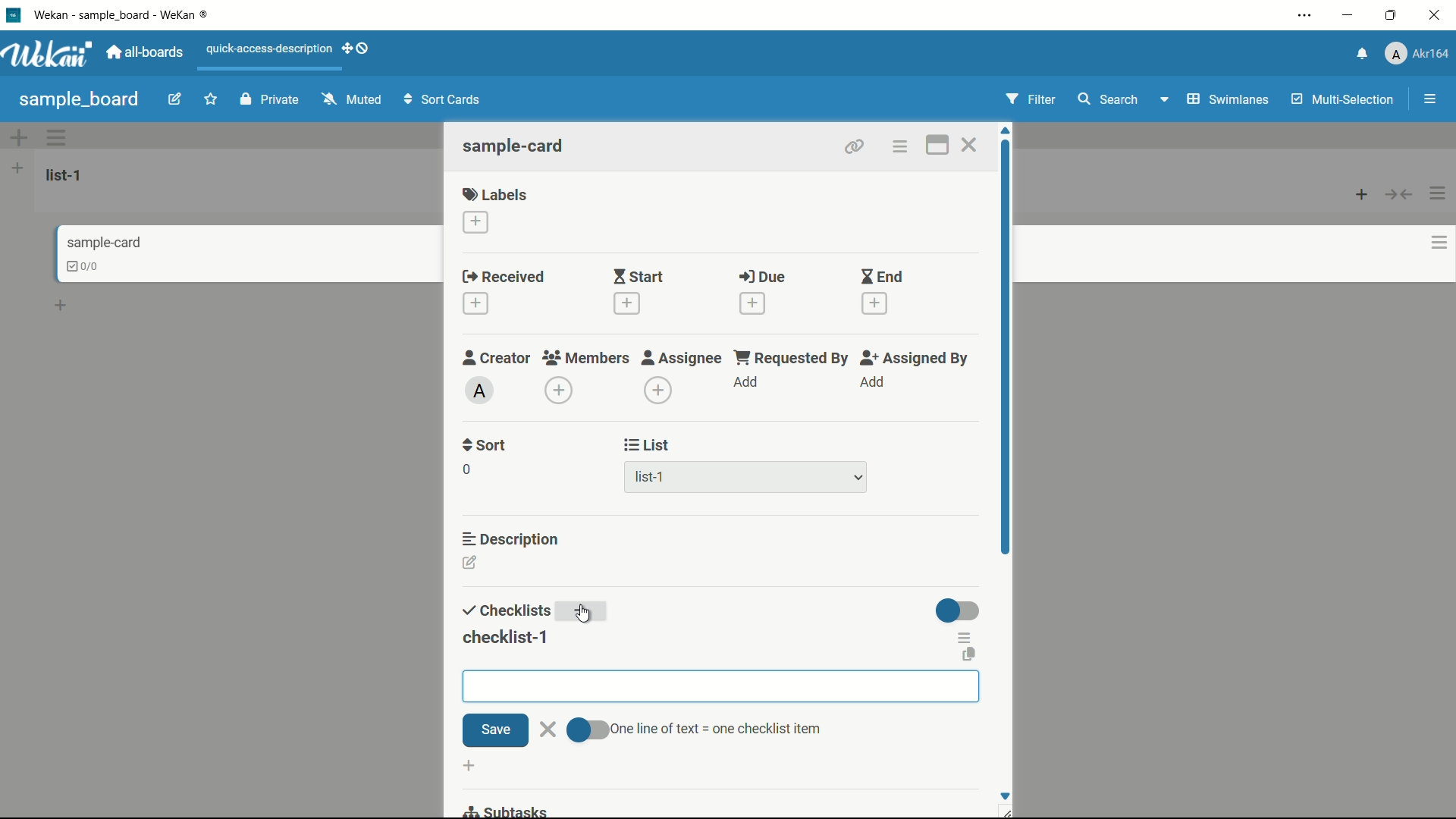 This screenshot has width=1456, height=819. What do you see at coordinates (504, 611) in the screenshot?
I see `checklist` at bounding box center [504, 611].